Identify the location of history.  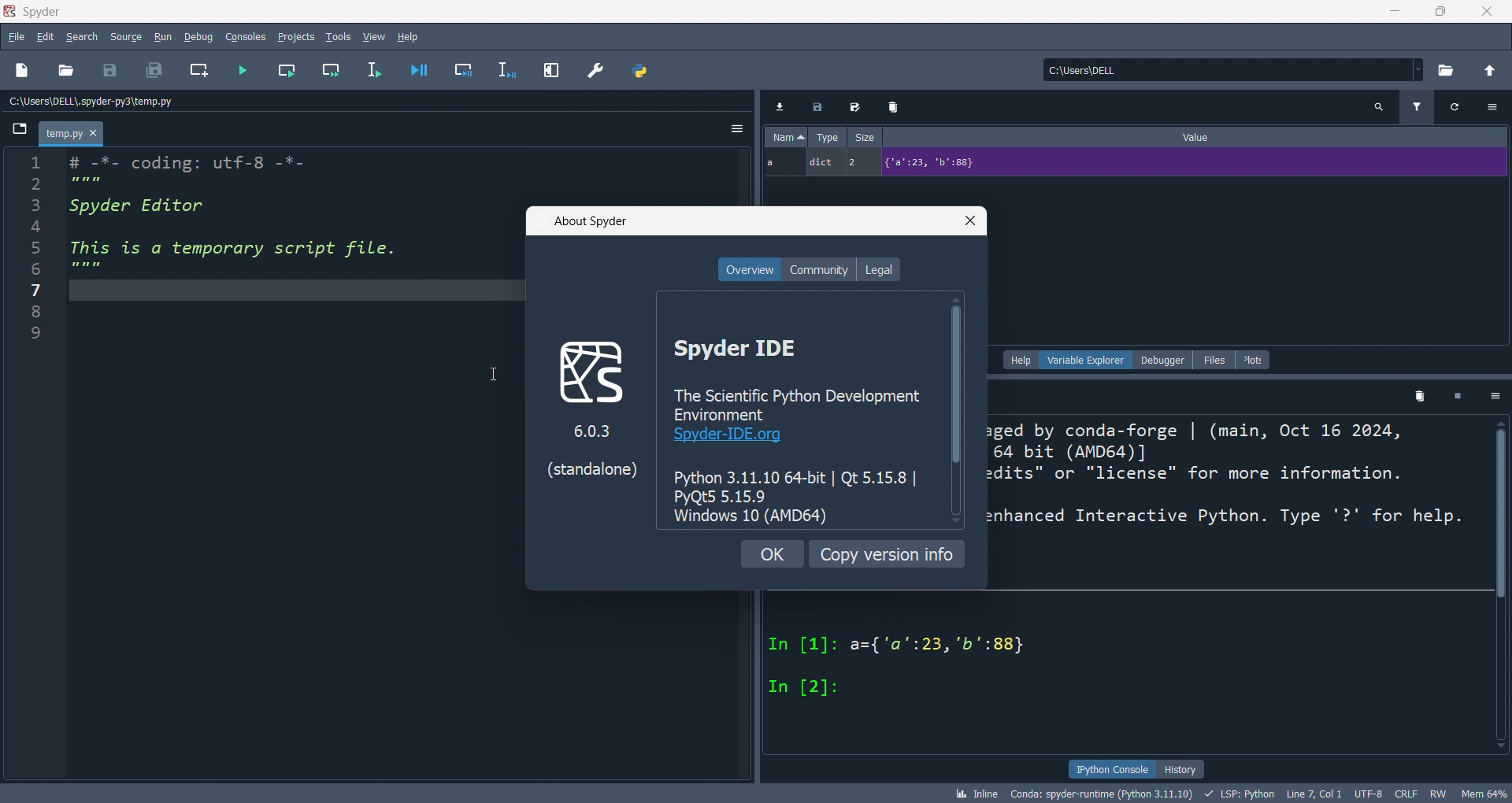
(1180, 769).